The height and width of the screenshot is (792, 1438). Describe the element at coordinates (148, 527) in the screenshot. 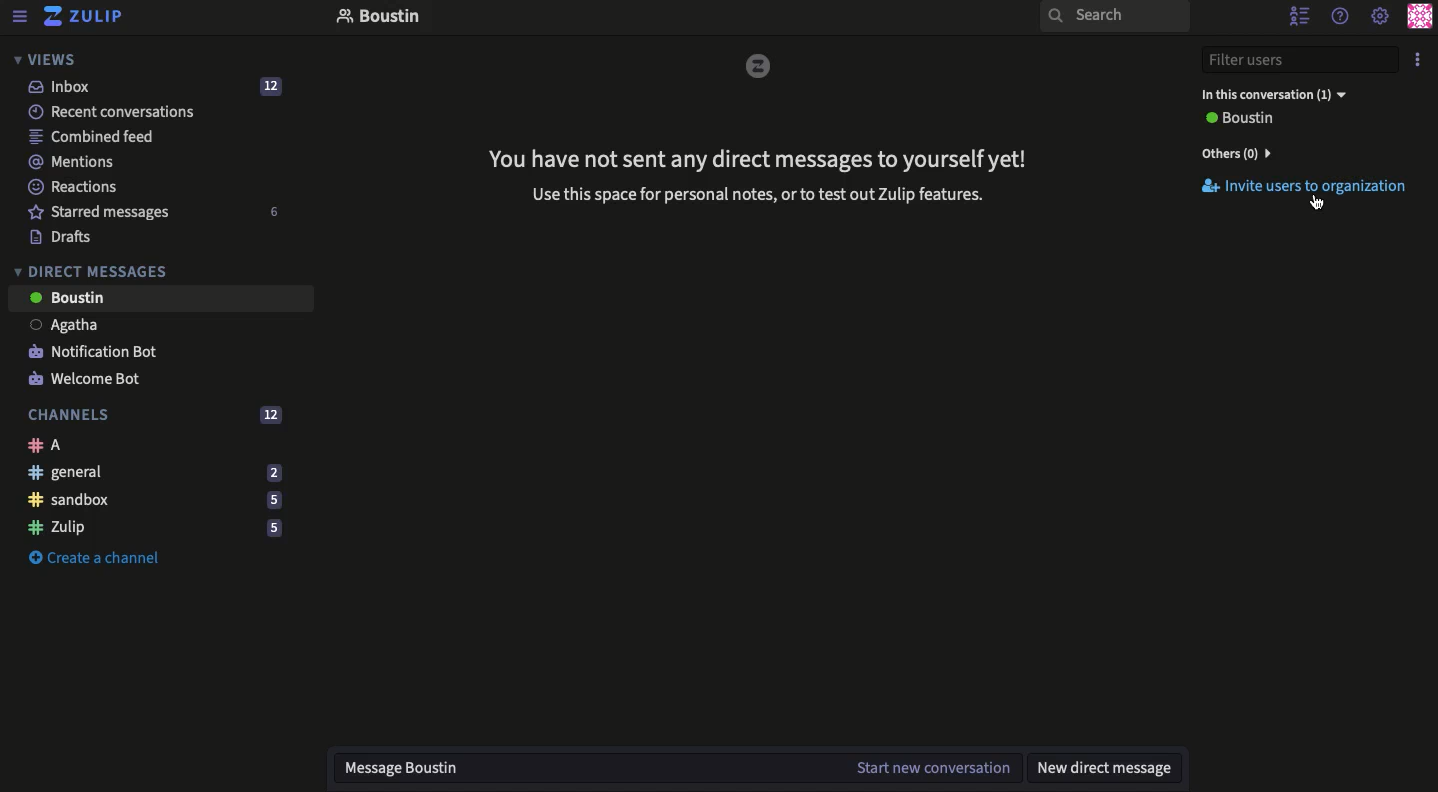

I see `Zulip` at that location.